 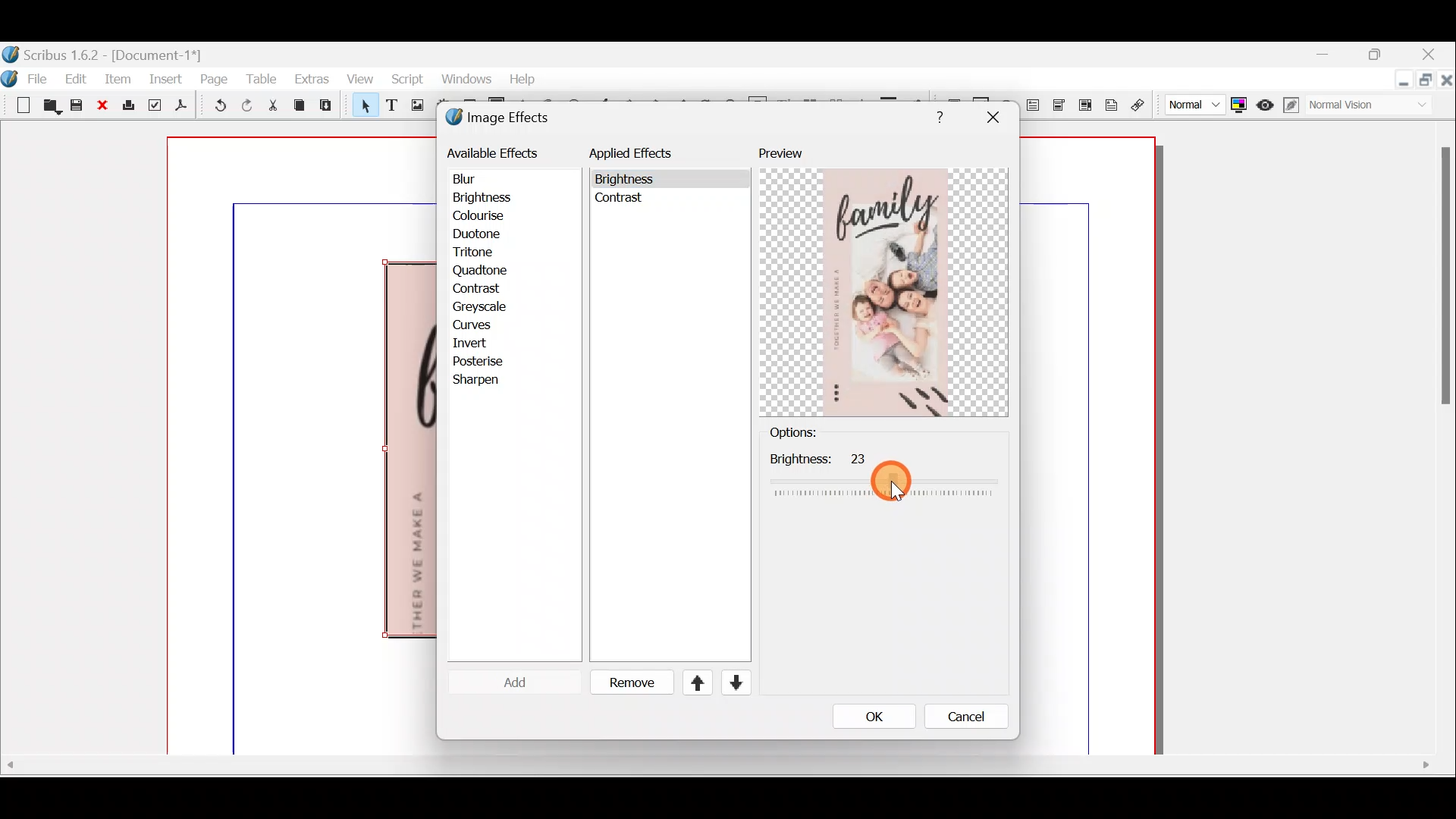 What do you see at coordinates (868, 716) in the screenshot?
I see `OK` at bounding box center [868, 716].